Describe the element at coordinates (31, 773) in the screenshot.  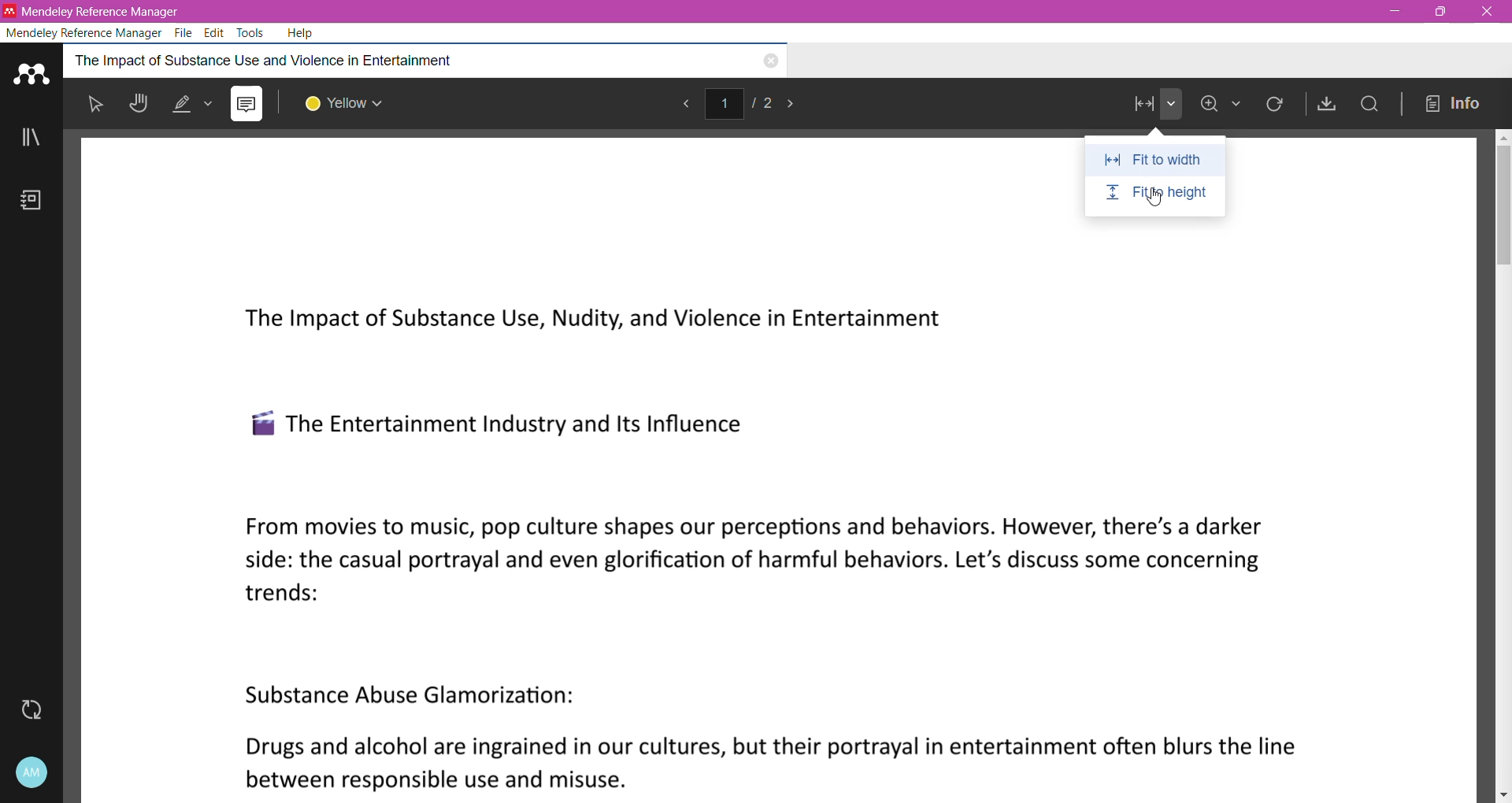
I see `Account and Help` at that location.